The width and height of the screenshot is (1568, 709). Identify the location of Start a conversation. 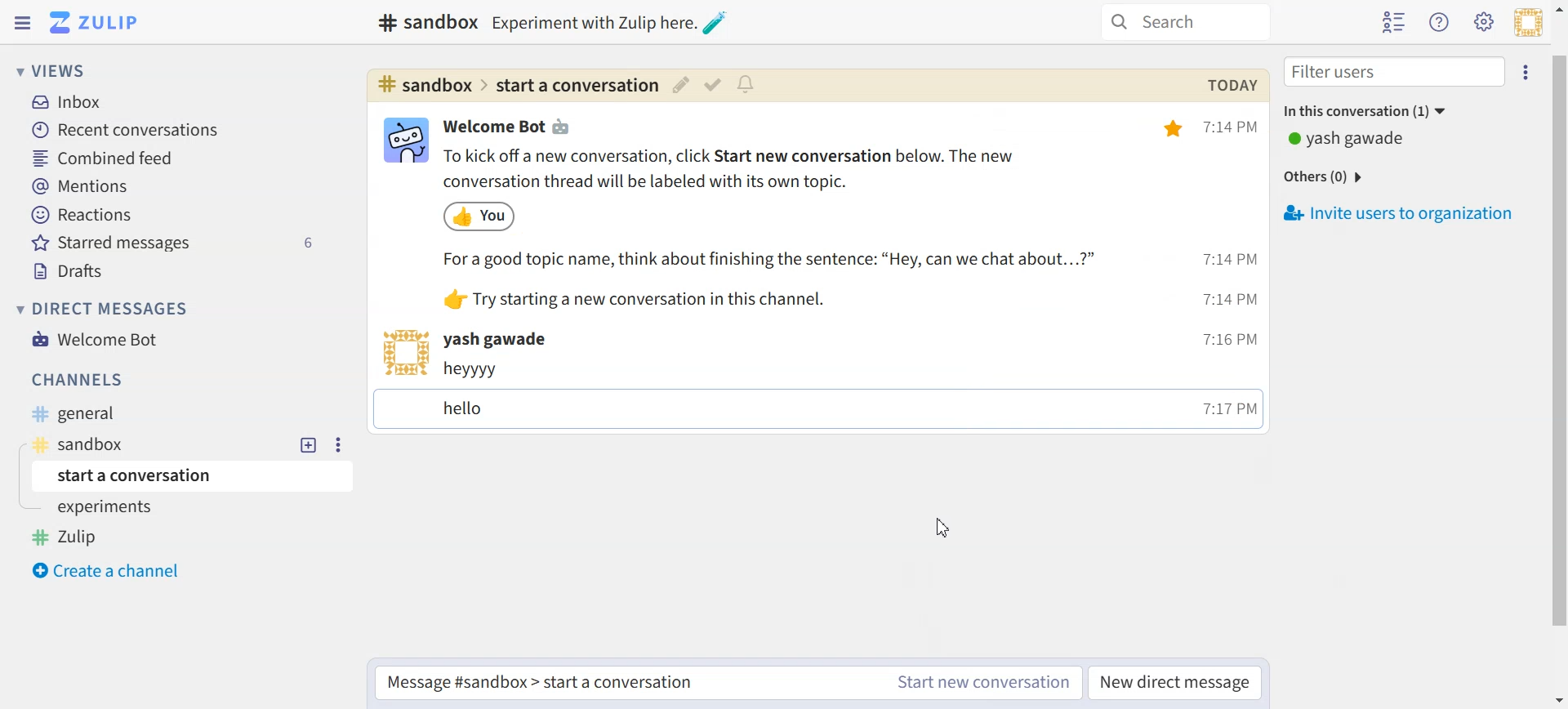
(196, 475).